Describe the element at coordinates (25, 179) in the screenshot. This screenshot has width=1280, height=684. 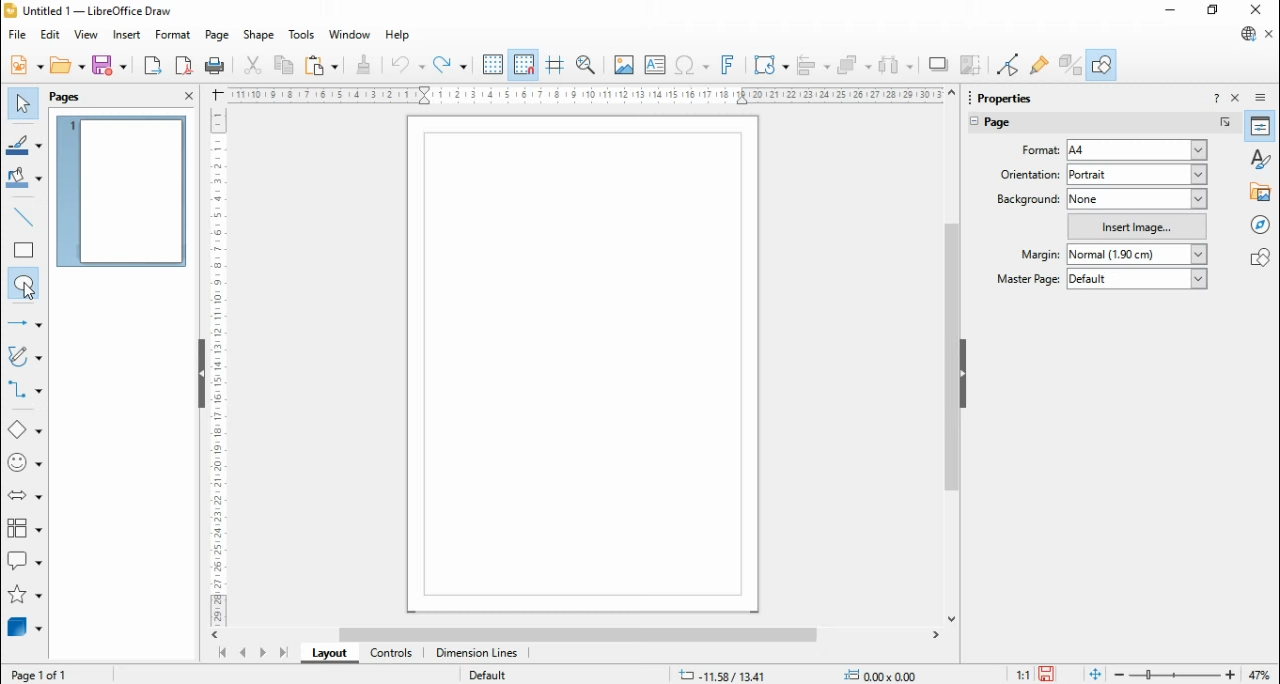
I see `fill color` at that location.